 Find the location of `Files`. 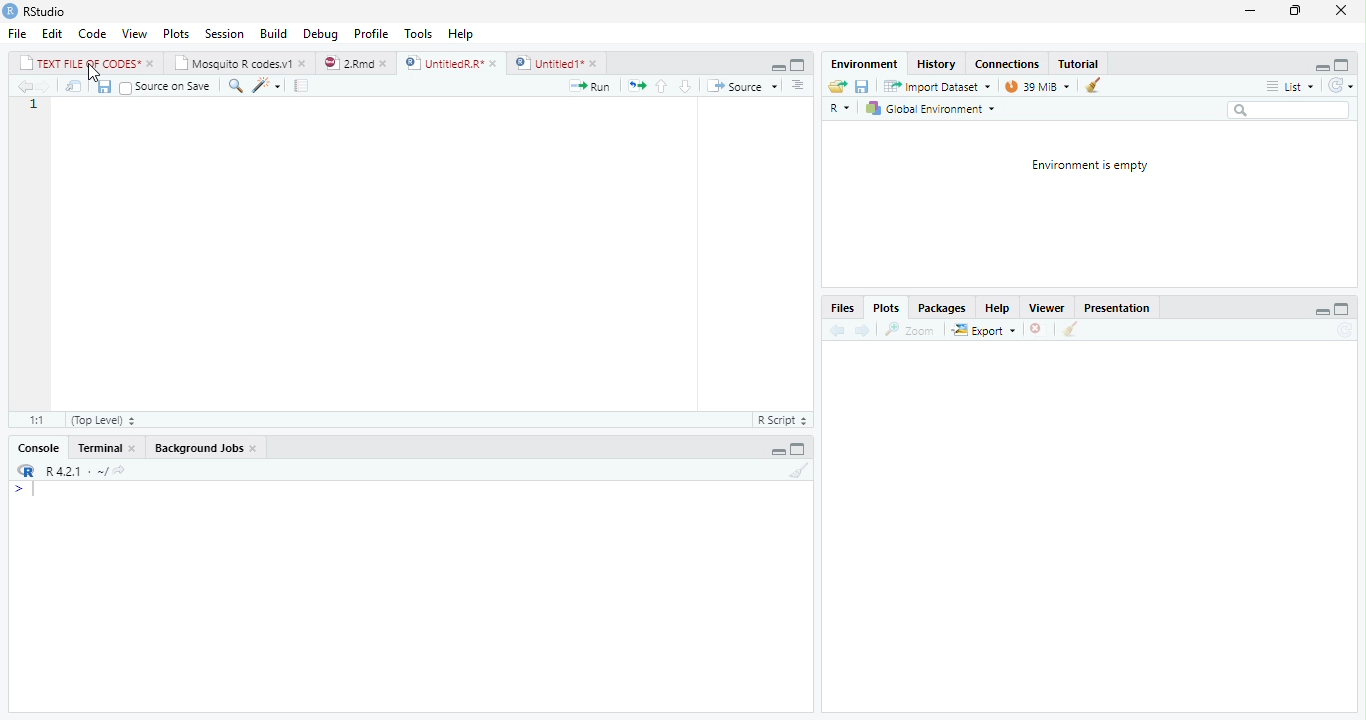

Files is located at coordinates (842, 308).